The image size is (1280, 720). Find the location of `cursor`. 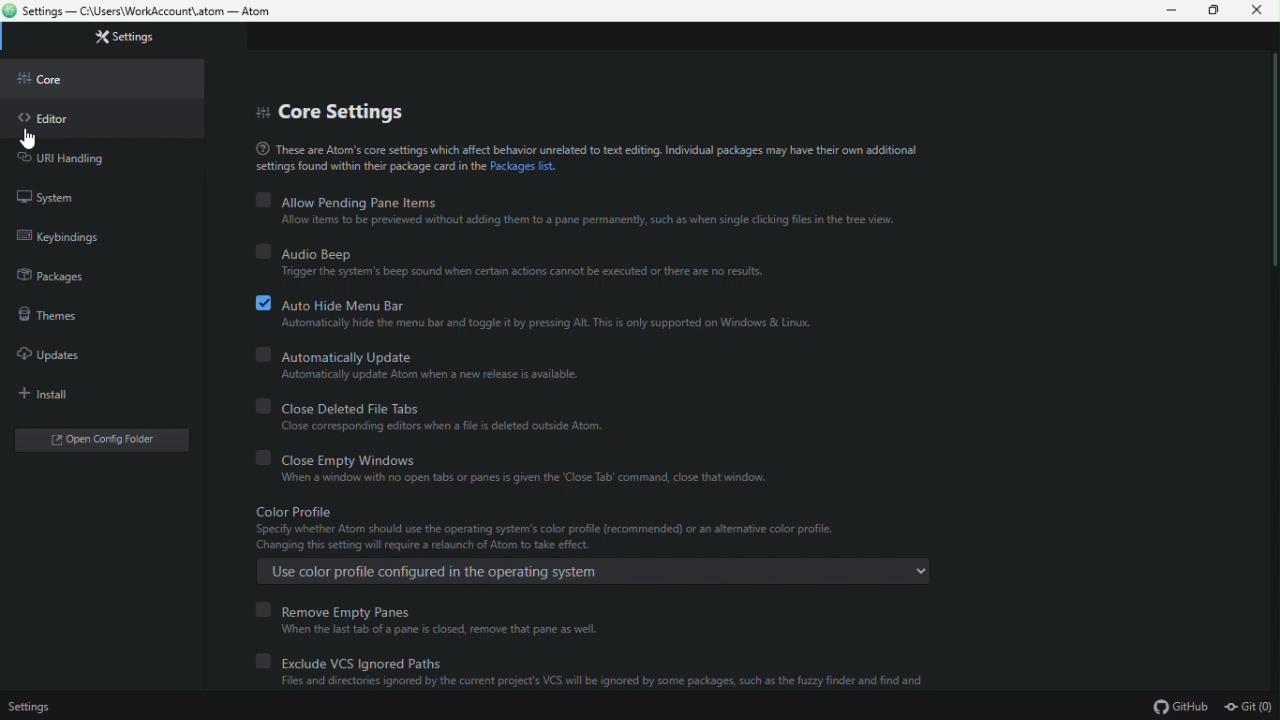

cursor is located at coordinates (30, 137).